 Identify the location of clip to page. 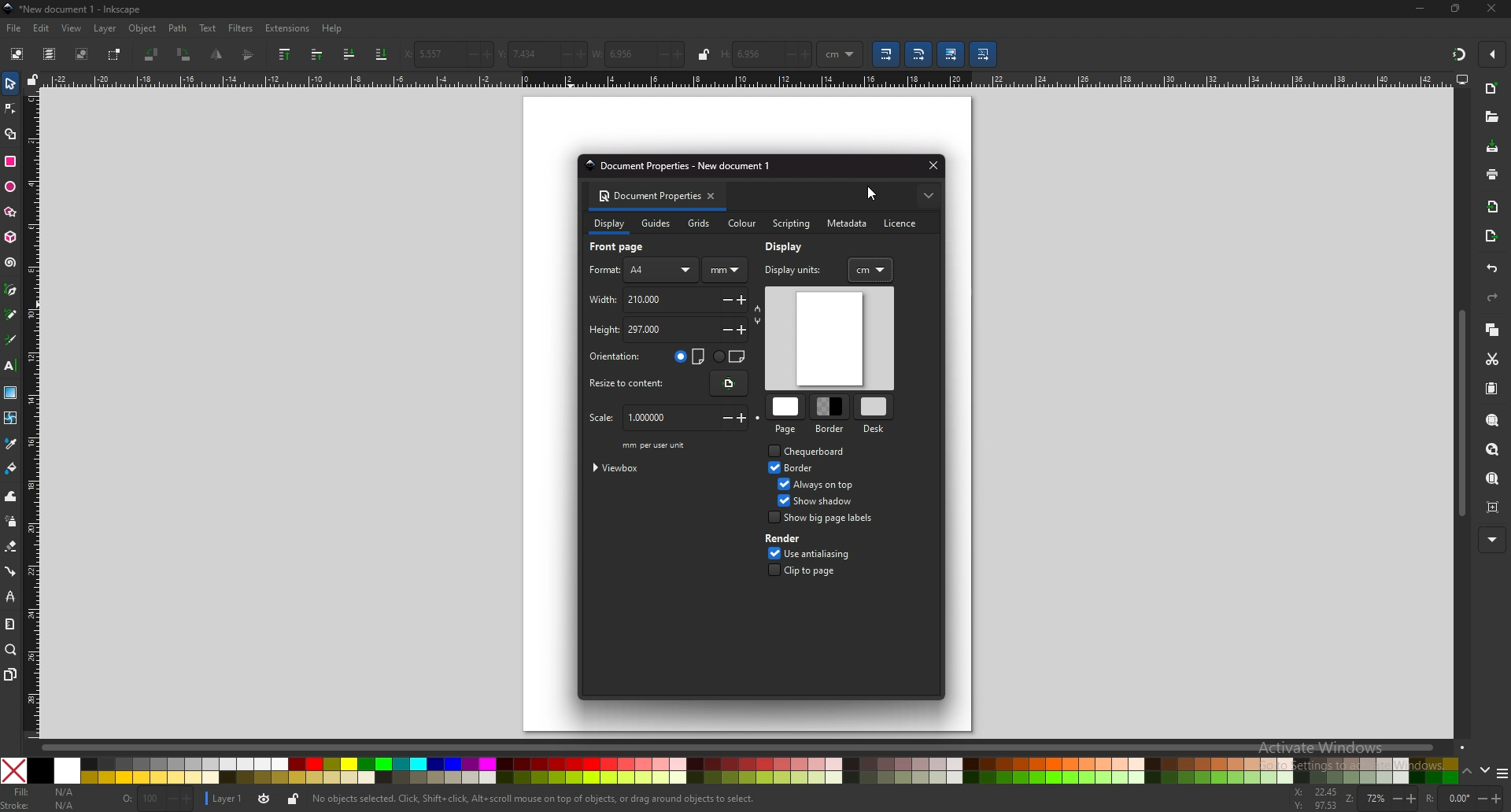
(818, 570).